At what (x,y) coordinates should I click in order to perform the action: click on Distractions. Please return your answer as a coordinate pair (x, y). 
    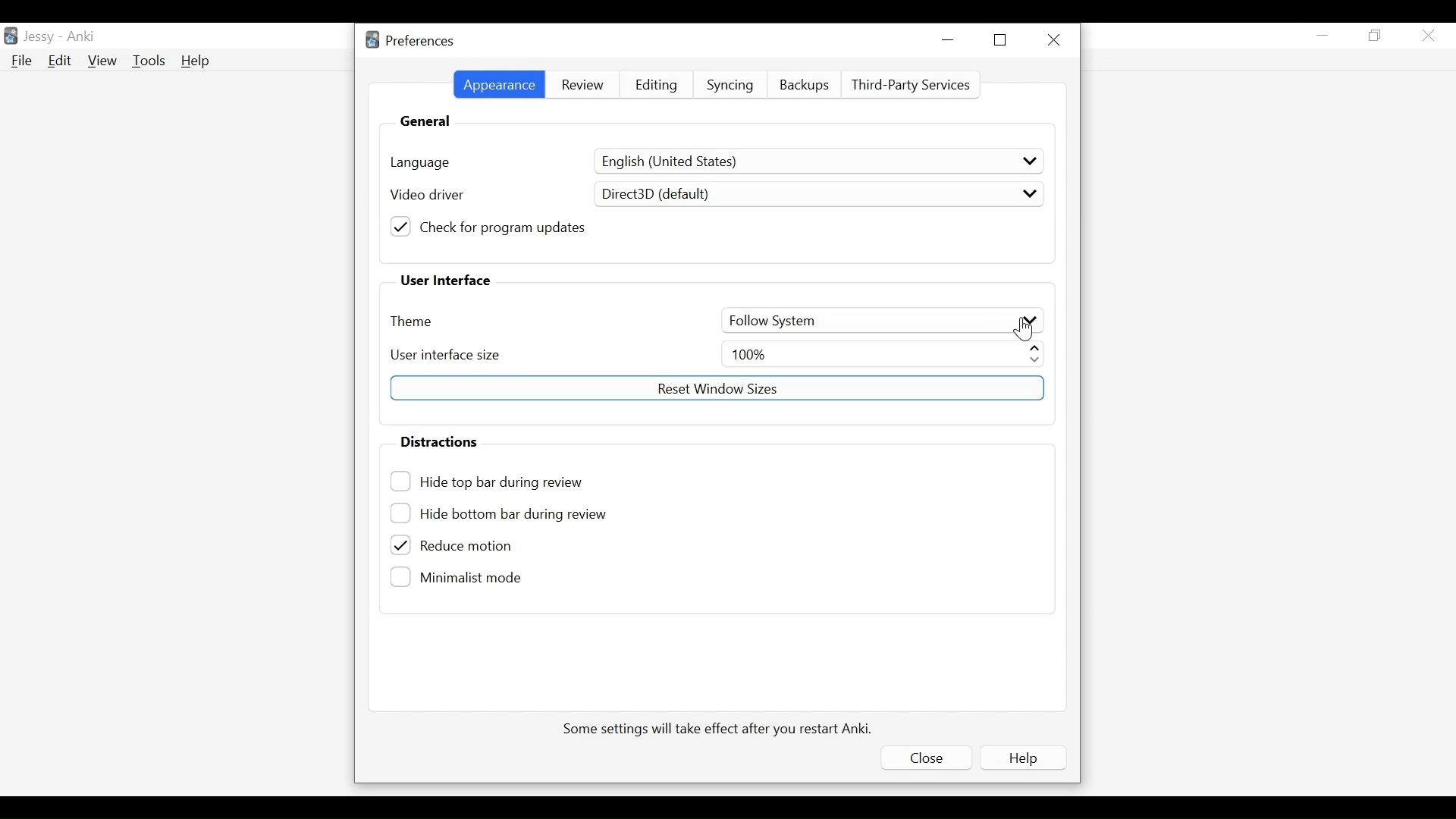
    Looking at the image, I should click on (439, 441).